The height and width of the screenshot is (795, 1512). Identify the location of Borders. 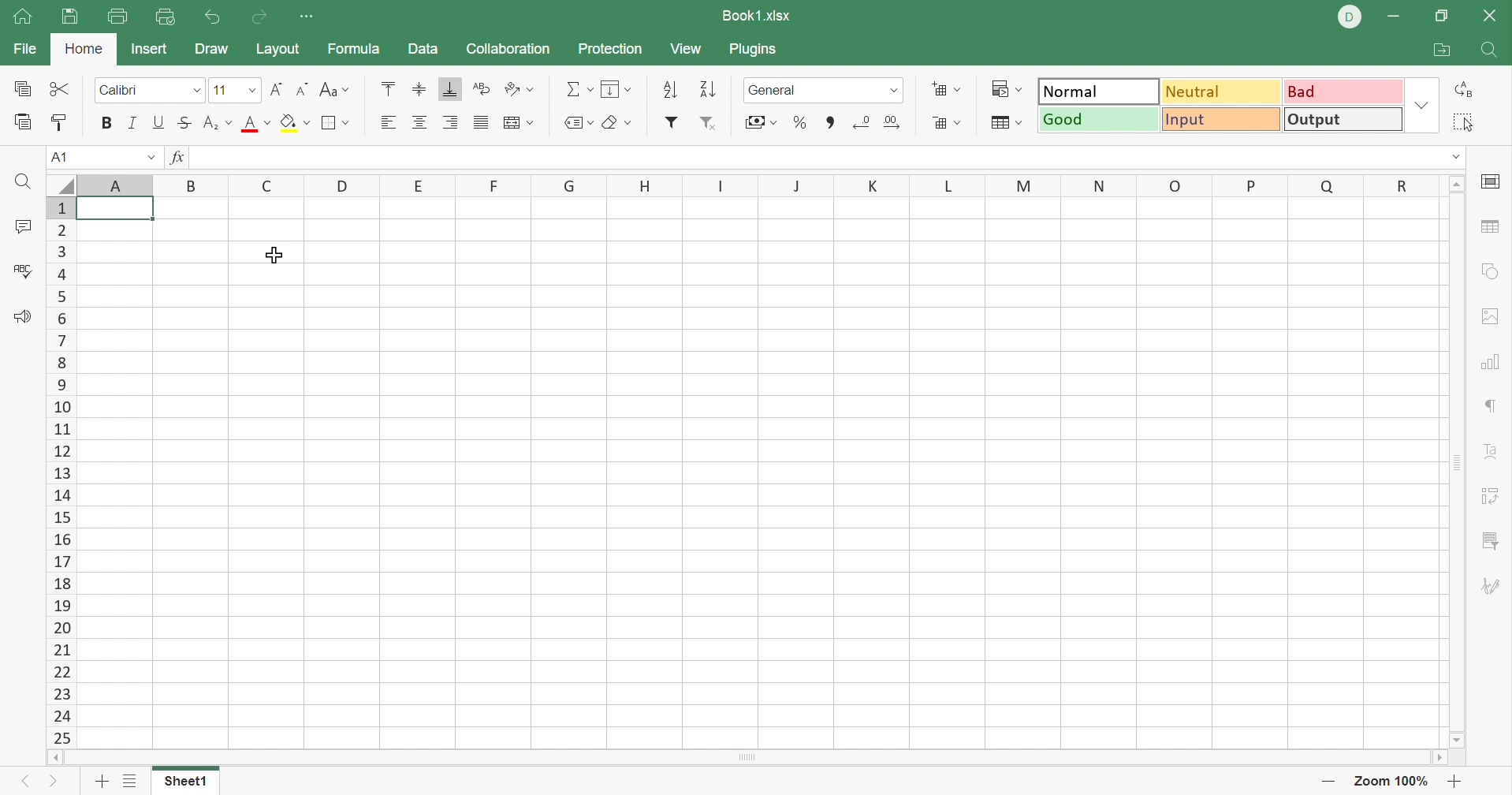
(338, 126).